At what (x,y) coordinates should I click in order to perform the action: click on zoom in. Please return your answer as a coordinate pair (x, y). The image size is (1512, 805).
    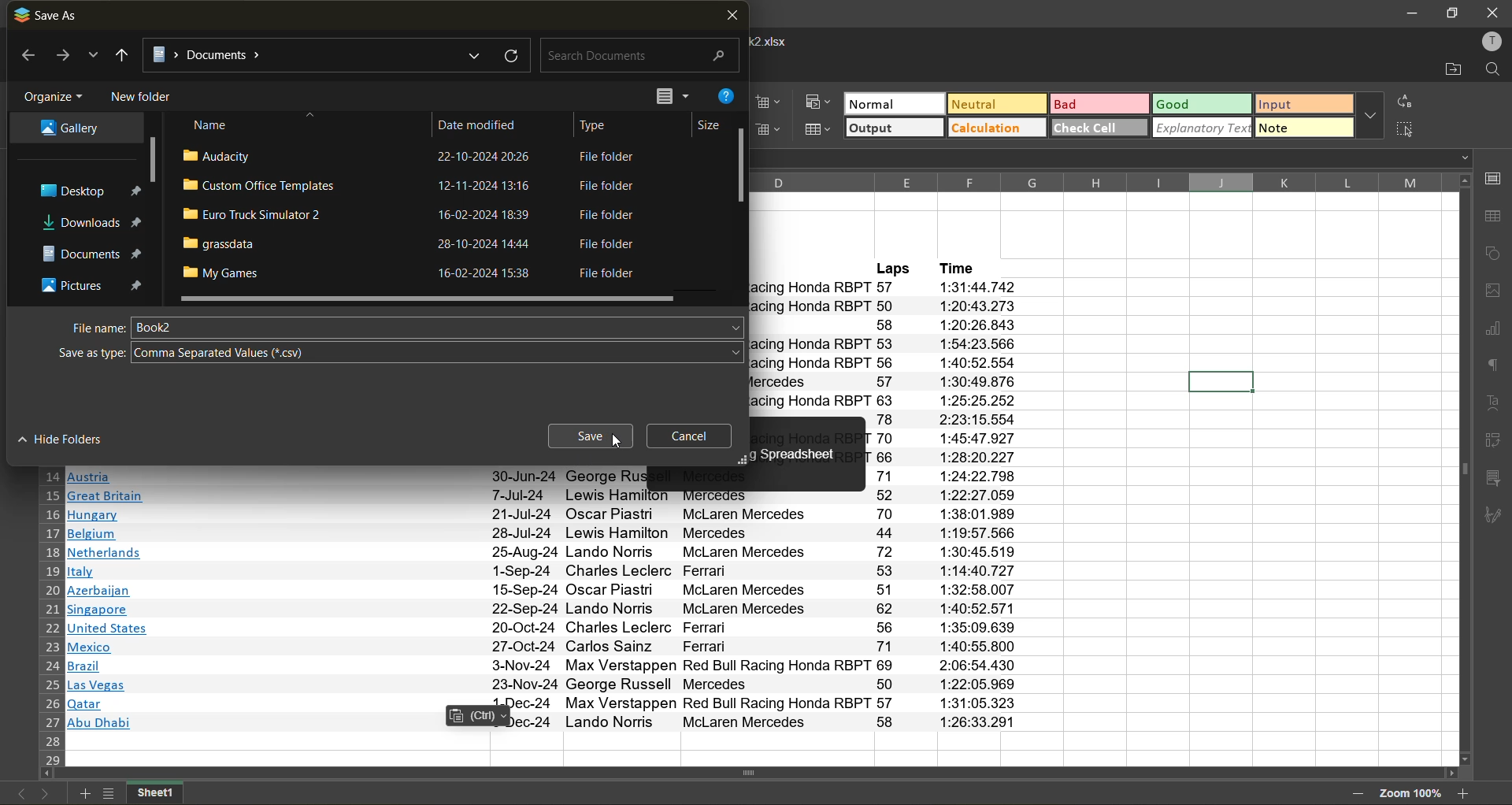
    Looking at the image, I should click on (1466, 794).